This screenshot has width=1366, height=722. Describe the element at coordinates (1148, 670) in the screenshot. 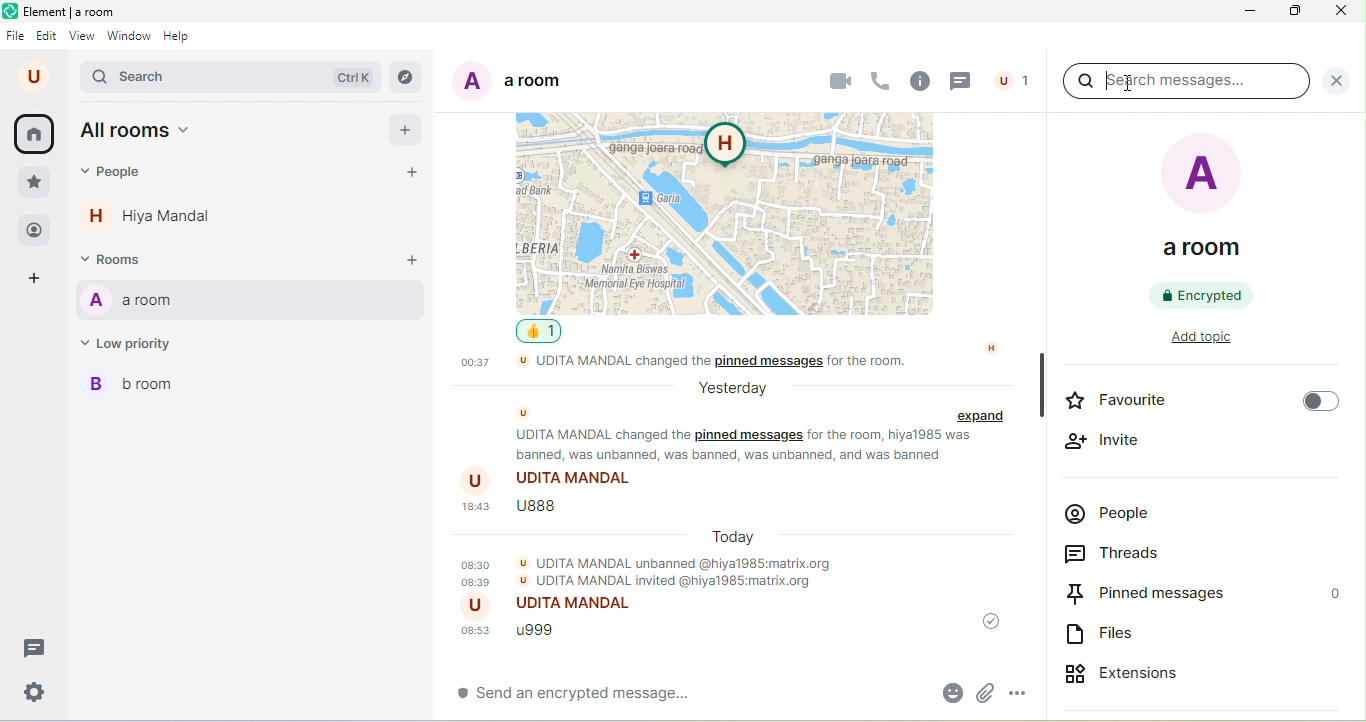

I see `extensions` at that location.